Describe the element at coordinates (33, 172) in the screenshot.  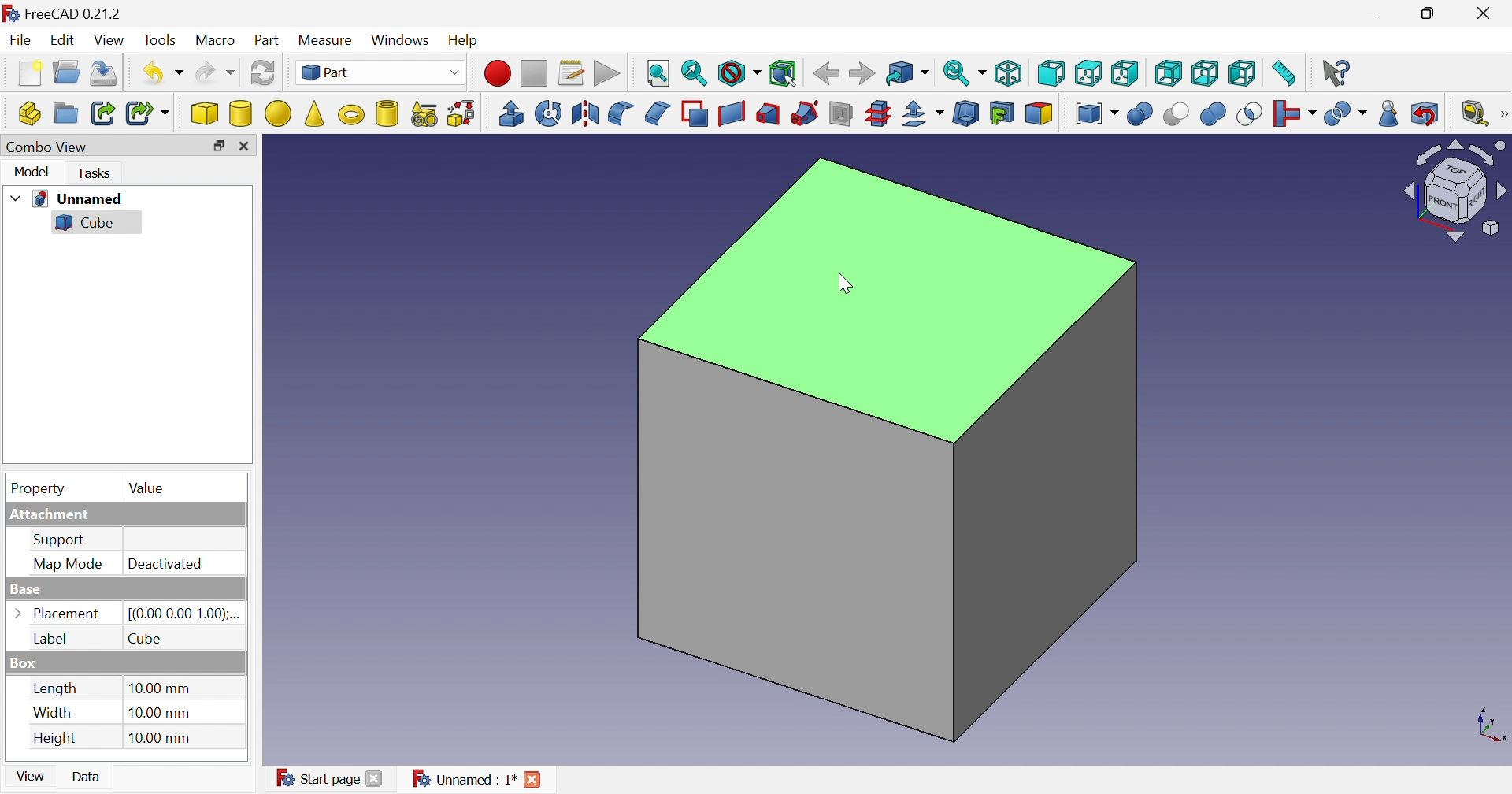
I see `Model` at that location.